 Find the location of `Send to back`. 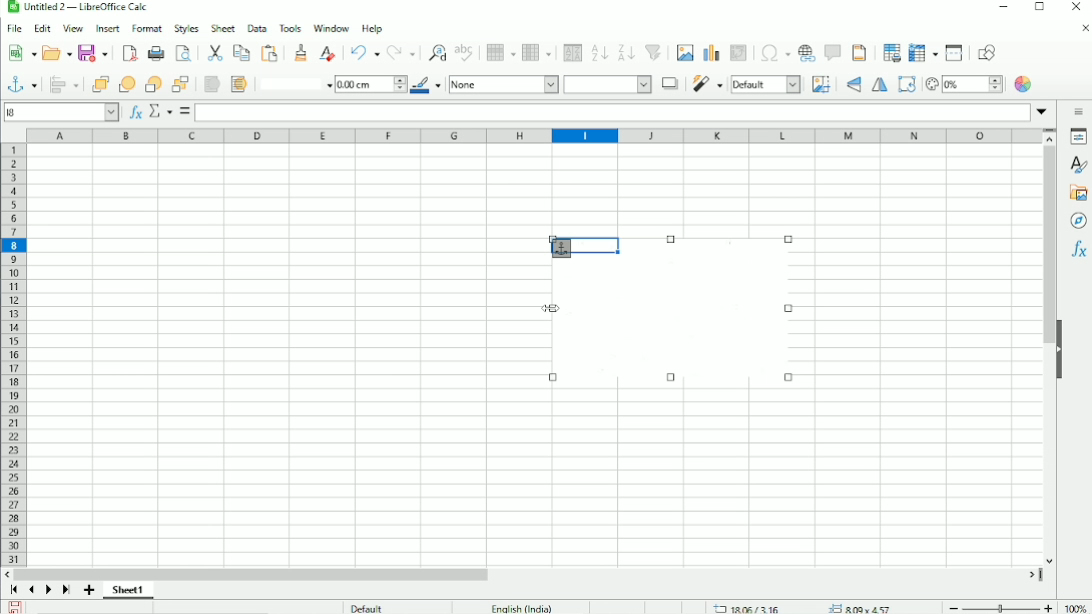

Send to back is located at coordinates (181, 83).